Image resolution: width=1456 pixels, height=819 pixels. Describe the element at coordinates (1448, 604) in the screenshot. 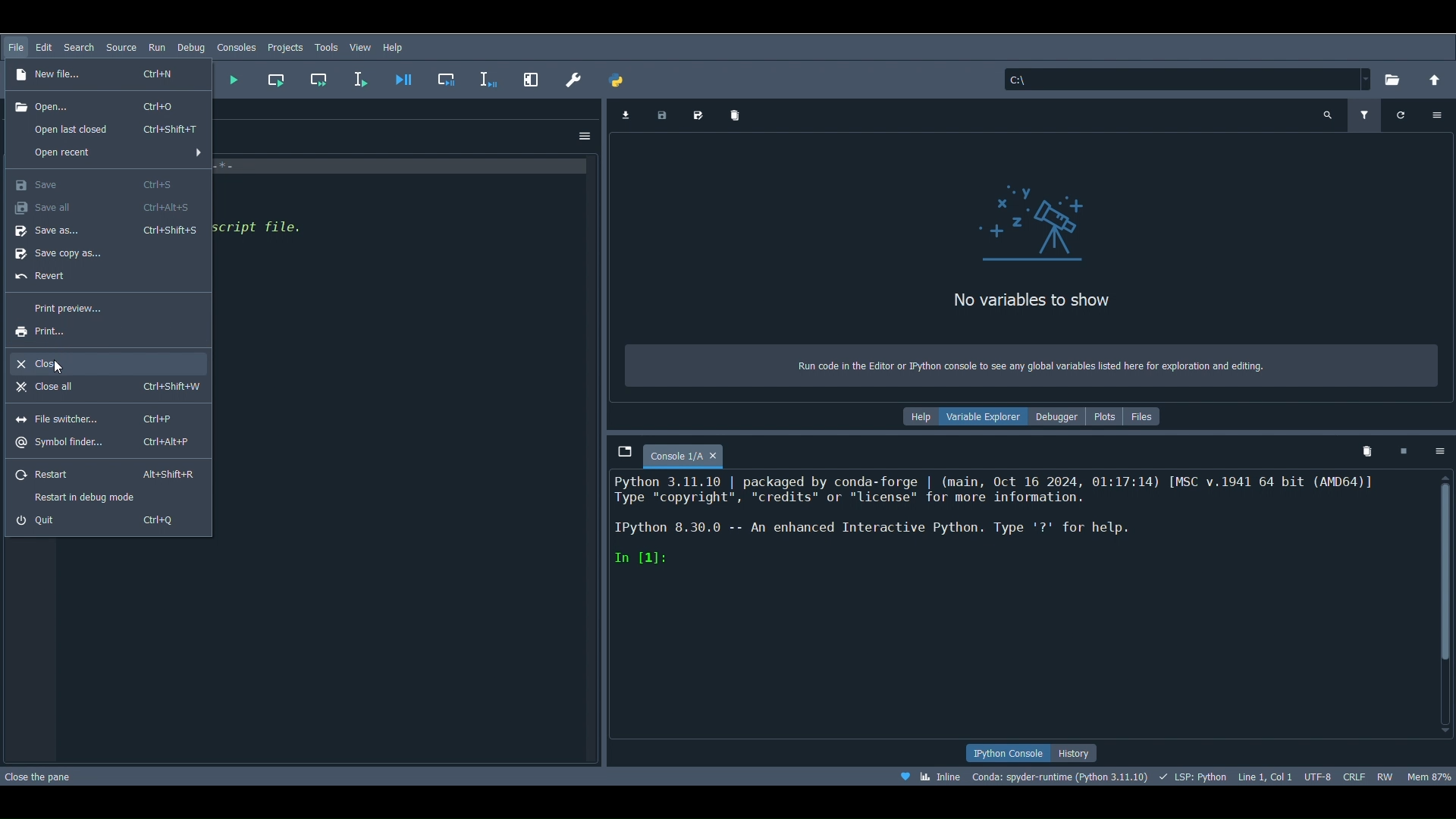

I see `Scrollbar` at that location.